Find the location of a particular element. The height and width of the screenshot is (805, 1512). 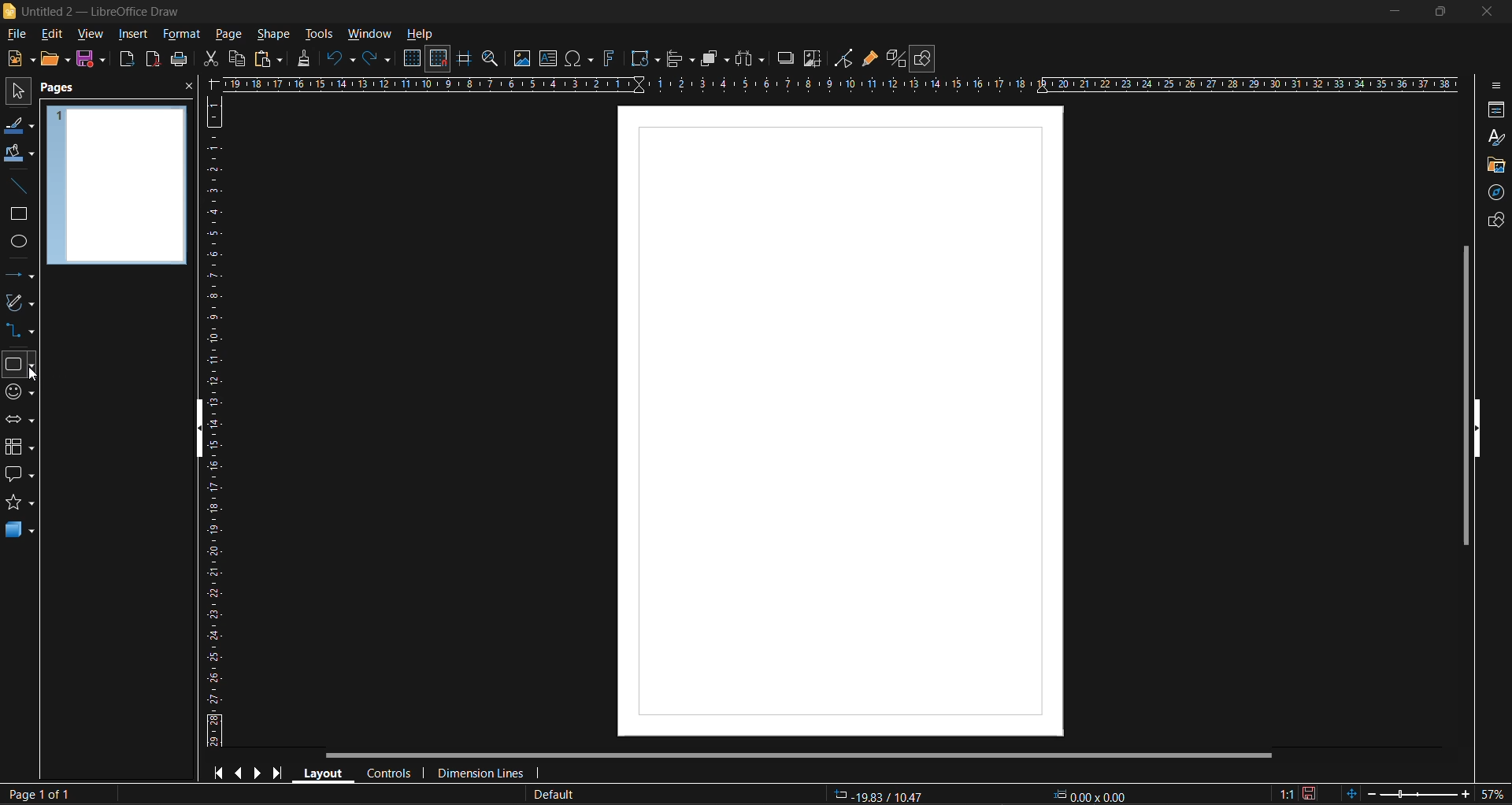

arrange is located at coordinates (715, 58).